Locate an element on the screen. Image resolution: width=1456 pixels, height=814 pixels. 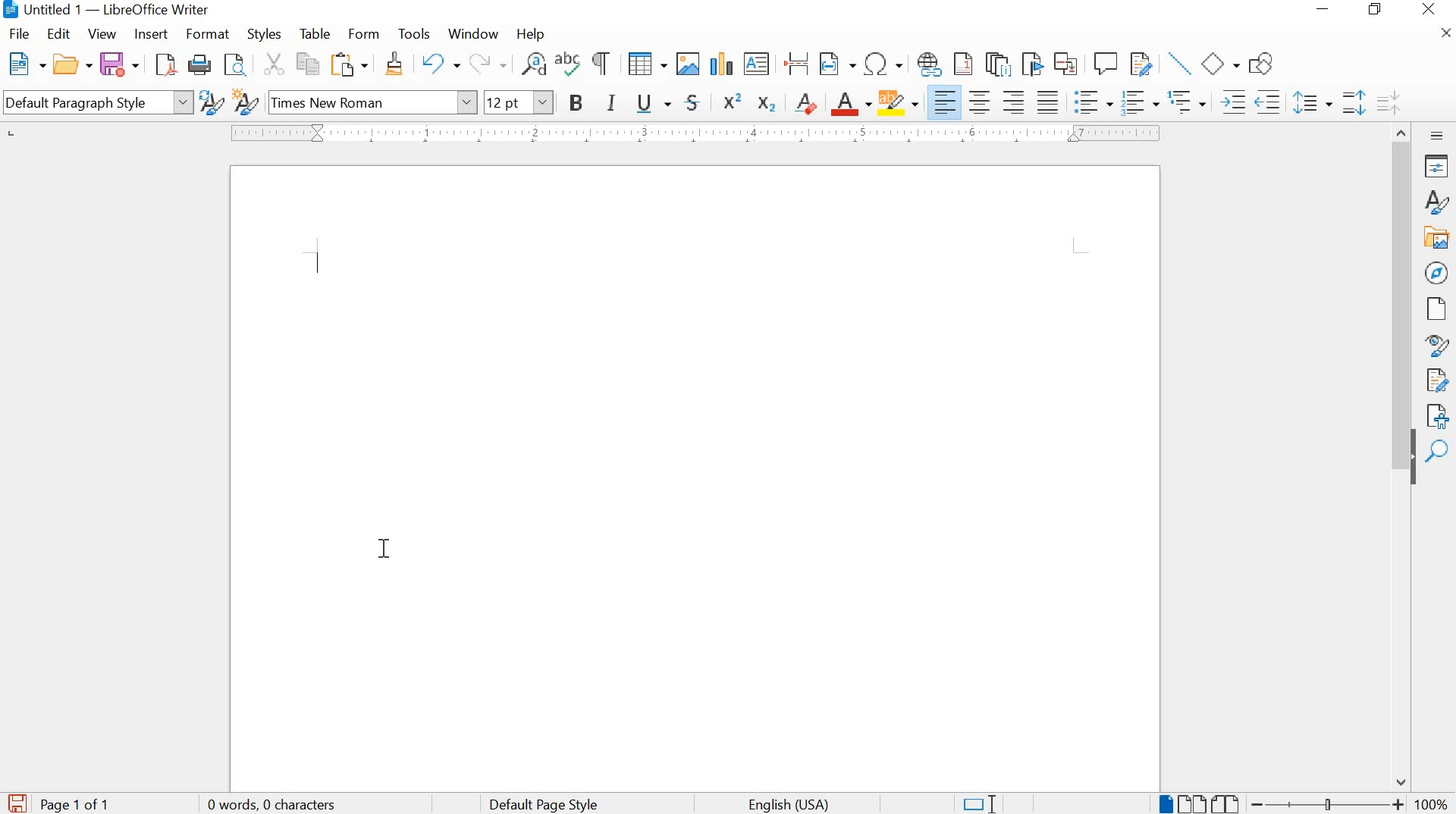
INSERT SPECIAL CHARACTERS is located at coordinates (883, 64).